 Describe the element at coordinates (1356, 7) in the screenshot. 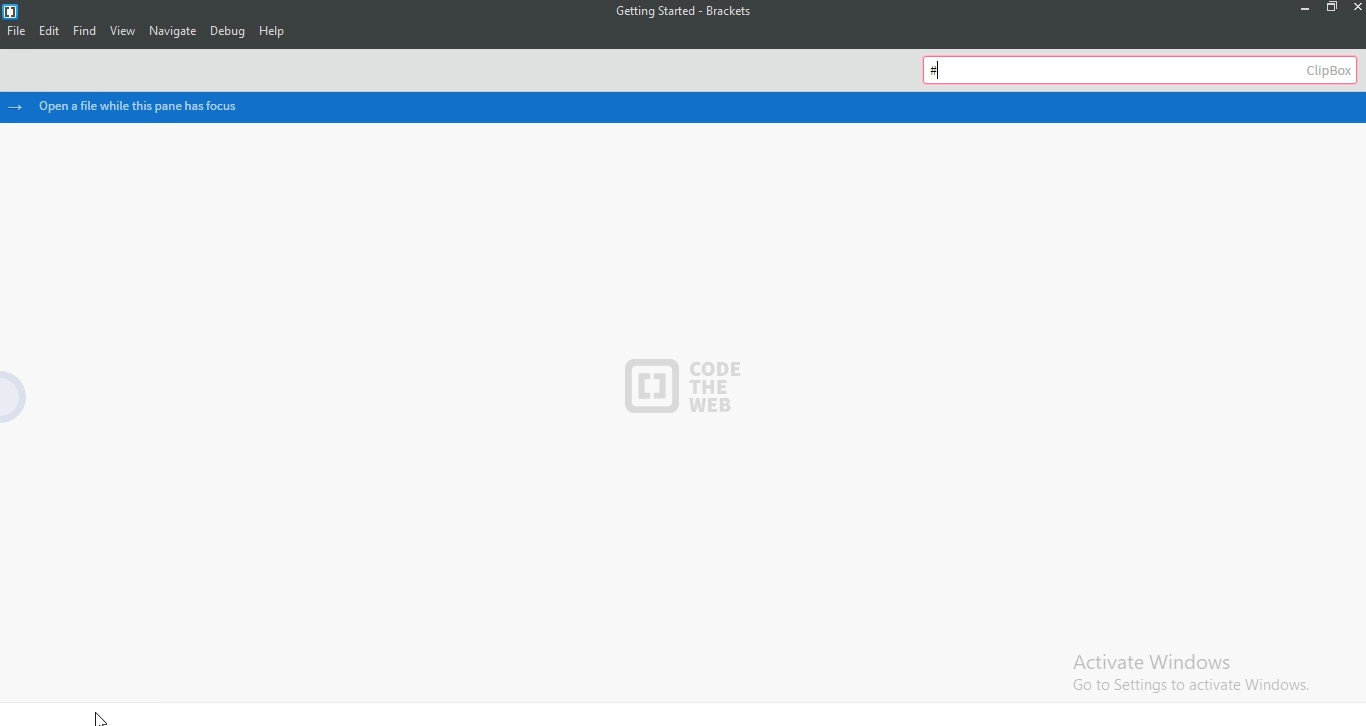

I see `close` at that location.